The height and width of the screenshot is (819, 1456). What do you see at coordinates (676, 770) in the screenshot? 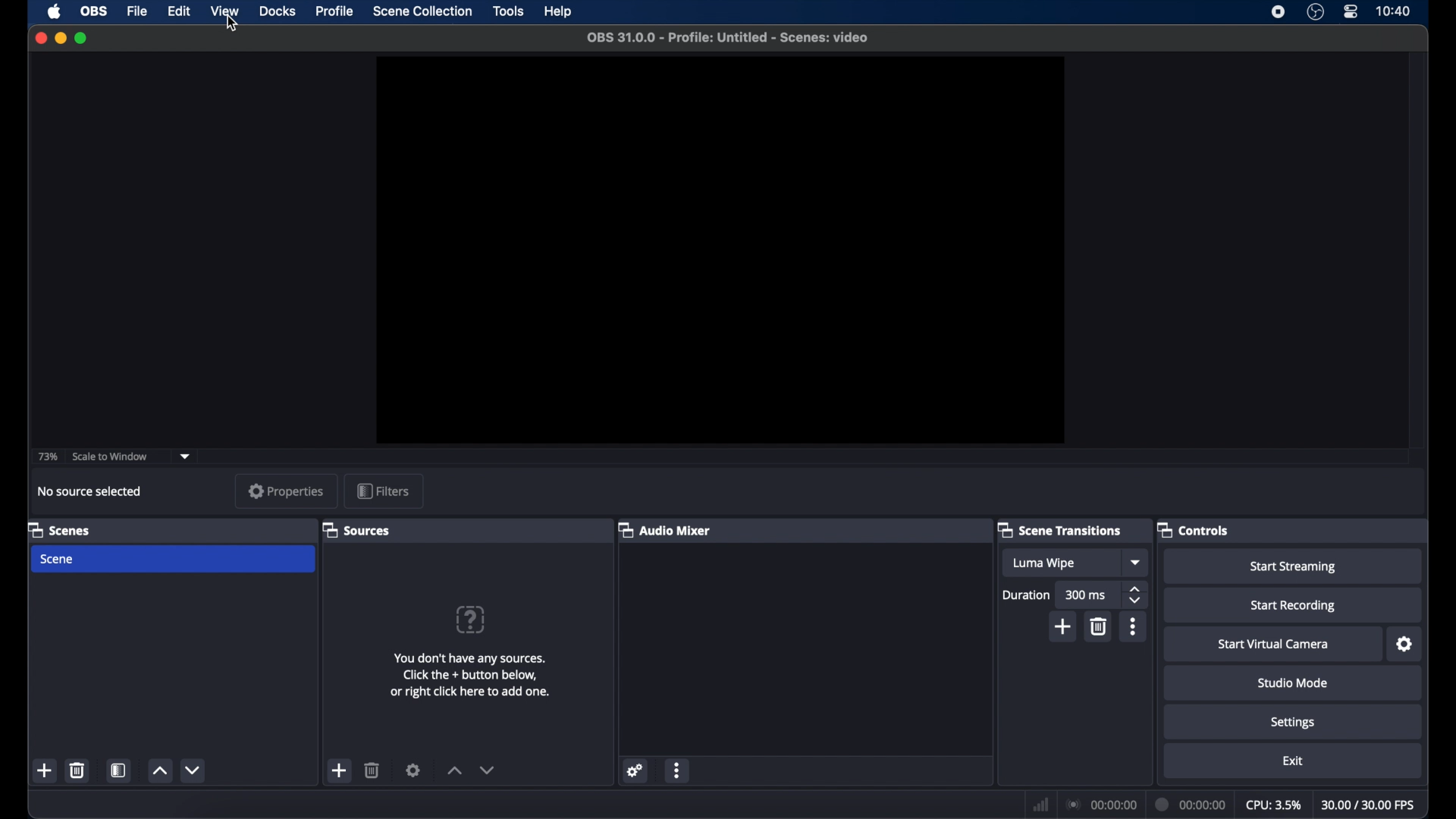
I see `more options` at bounding box center [676, 770].